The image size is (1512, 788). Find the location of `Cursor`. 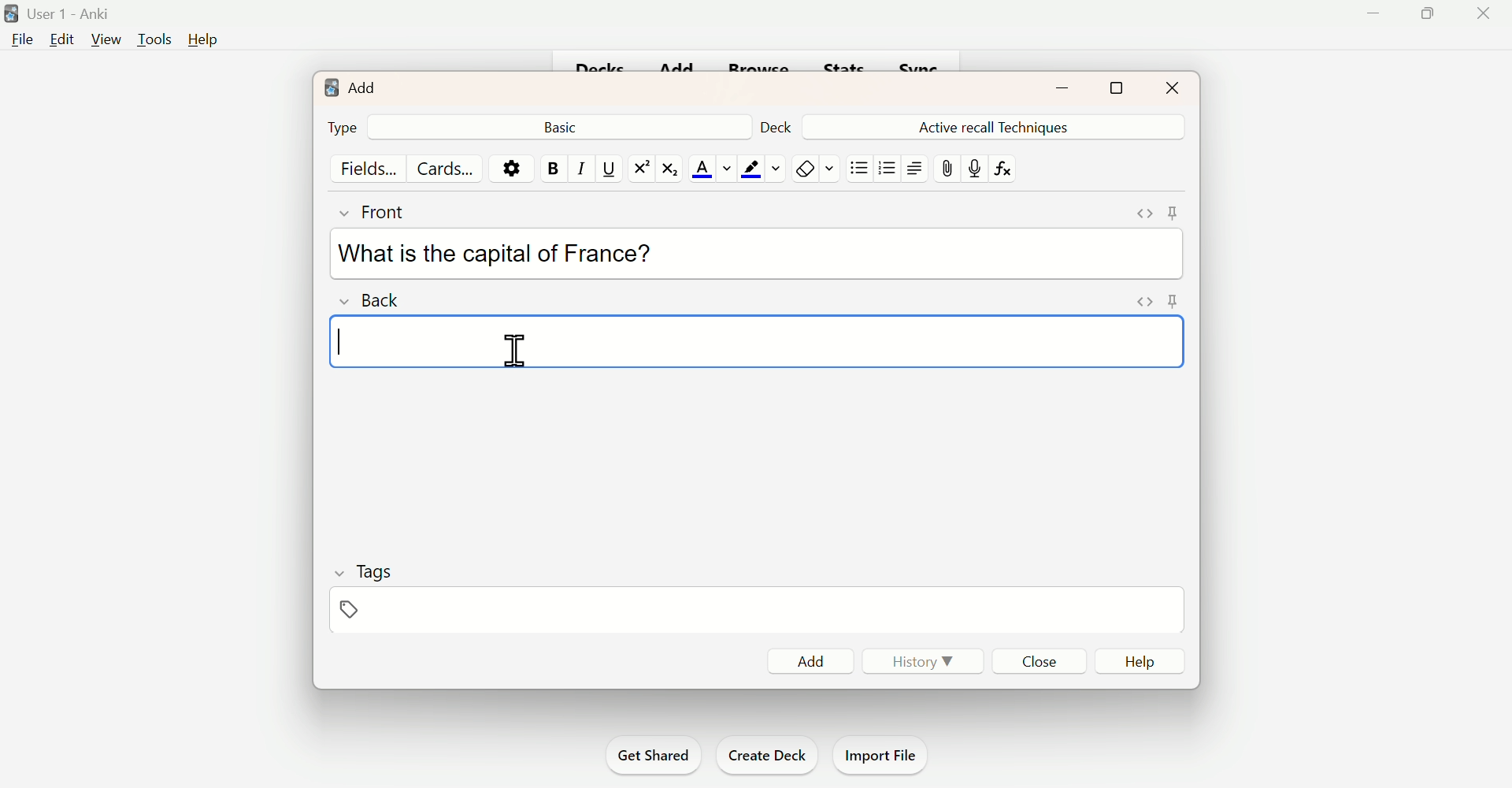

Cursor is located at coordinates (513, 350).